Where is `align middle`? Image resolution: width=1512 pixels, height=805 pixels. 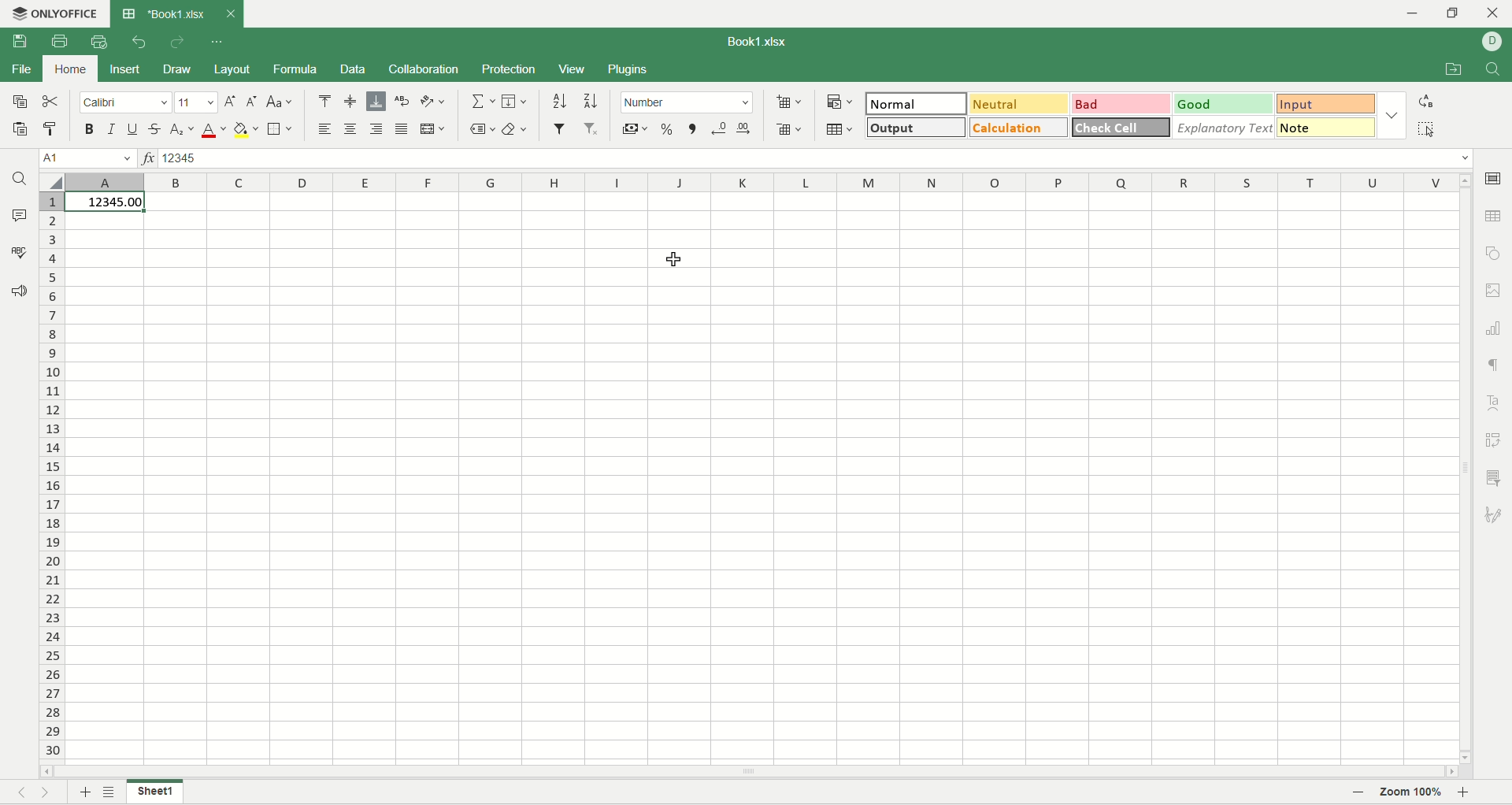 align middle is located at coordinates (350, 102).